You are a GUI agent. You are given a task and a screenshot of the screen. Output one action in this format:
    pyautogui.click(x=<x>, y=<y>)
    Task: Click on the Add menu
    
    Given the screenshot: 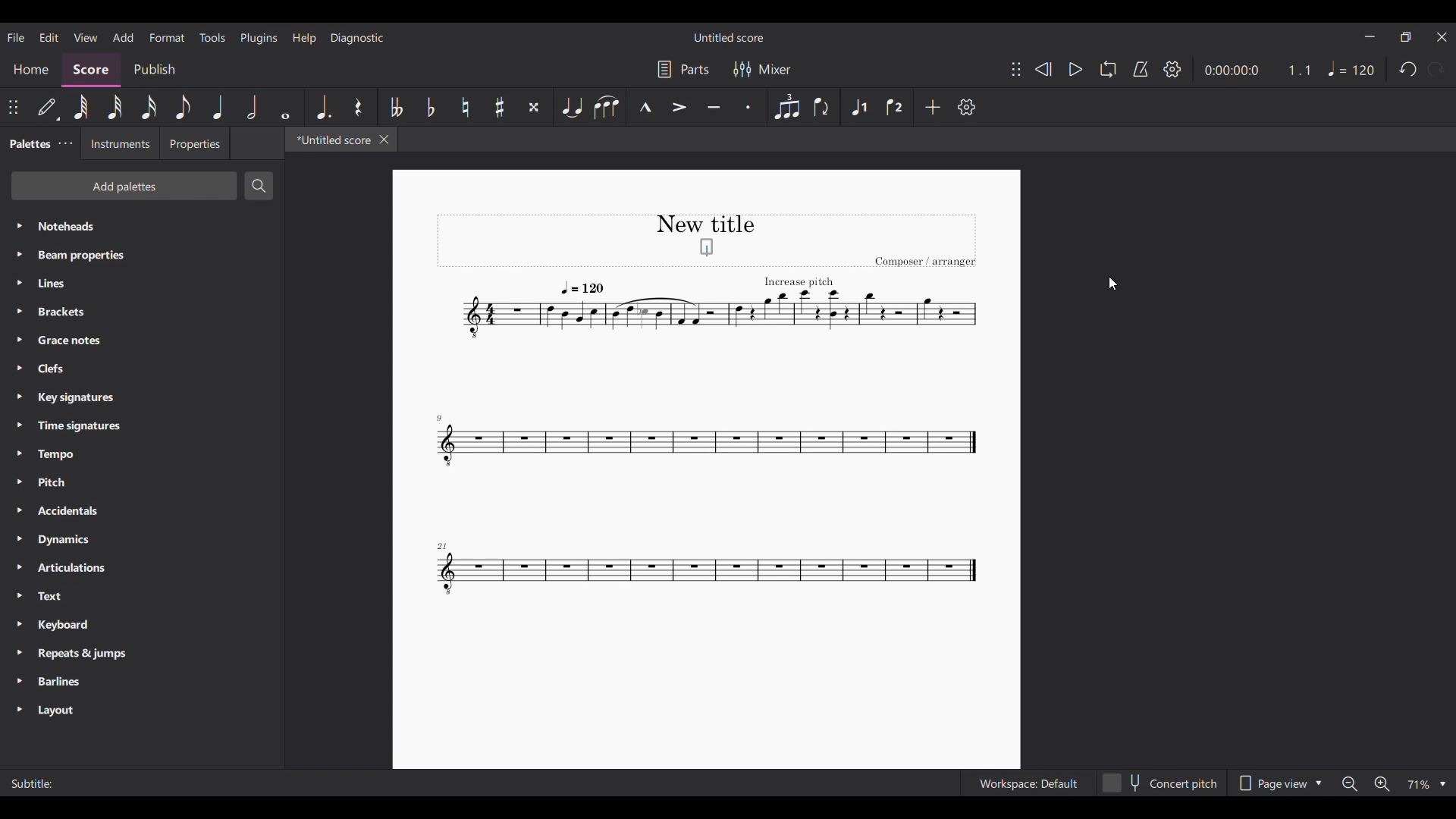 What is the action you would take?
    pyautogui.click(x=124, y=38)
    